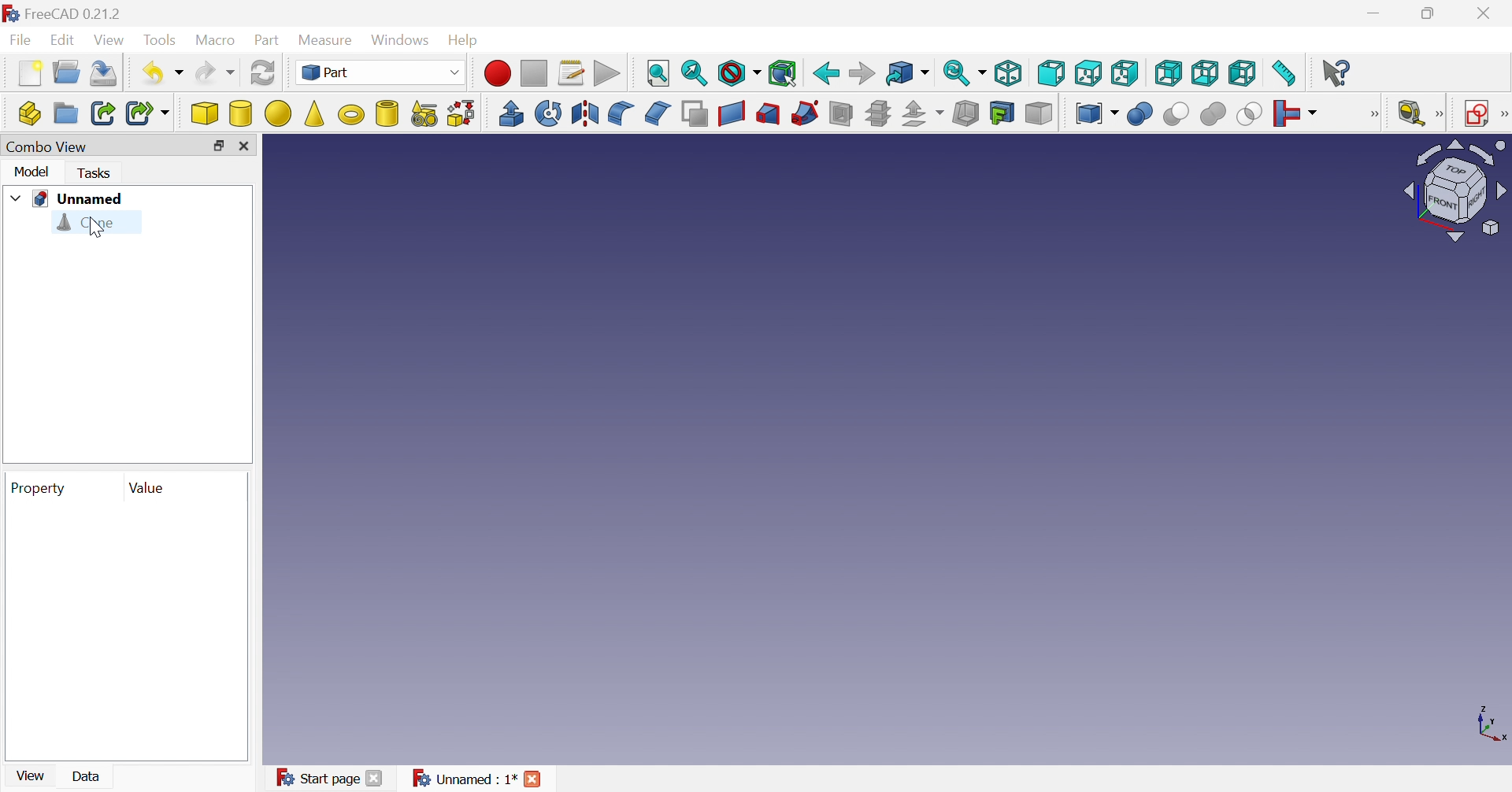  I want to click on New, so click(26, 73).